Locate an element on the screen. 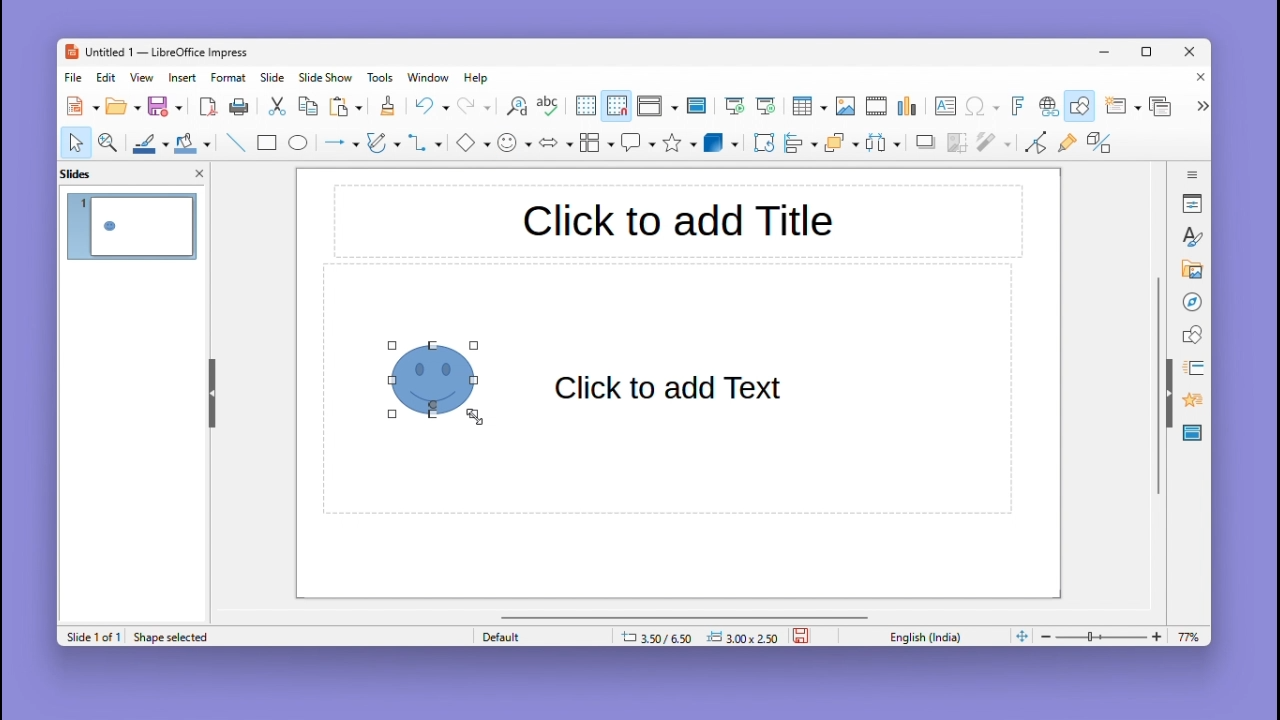 This screenshot has height=720, width=1280. Hyperlink is located at coordinates (1046, 108).